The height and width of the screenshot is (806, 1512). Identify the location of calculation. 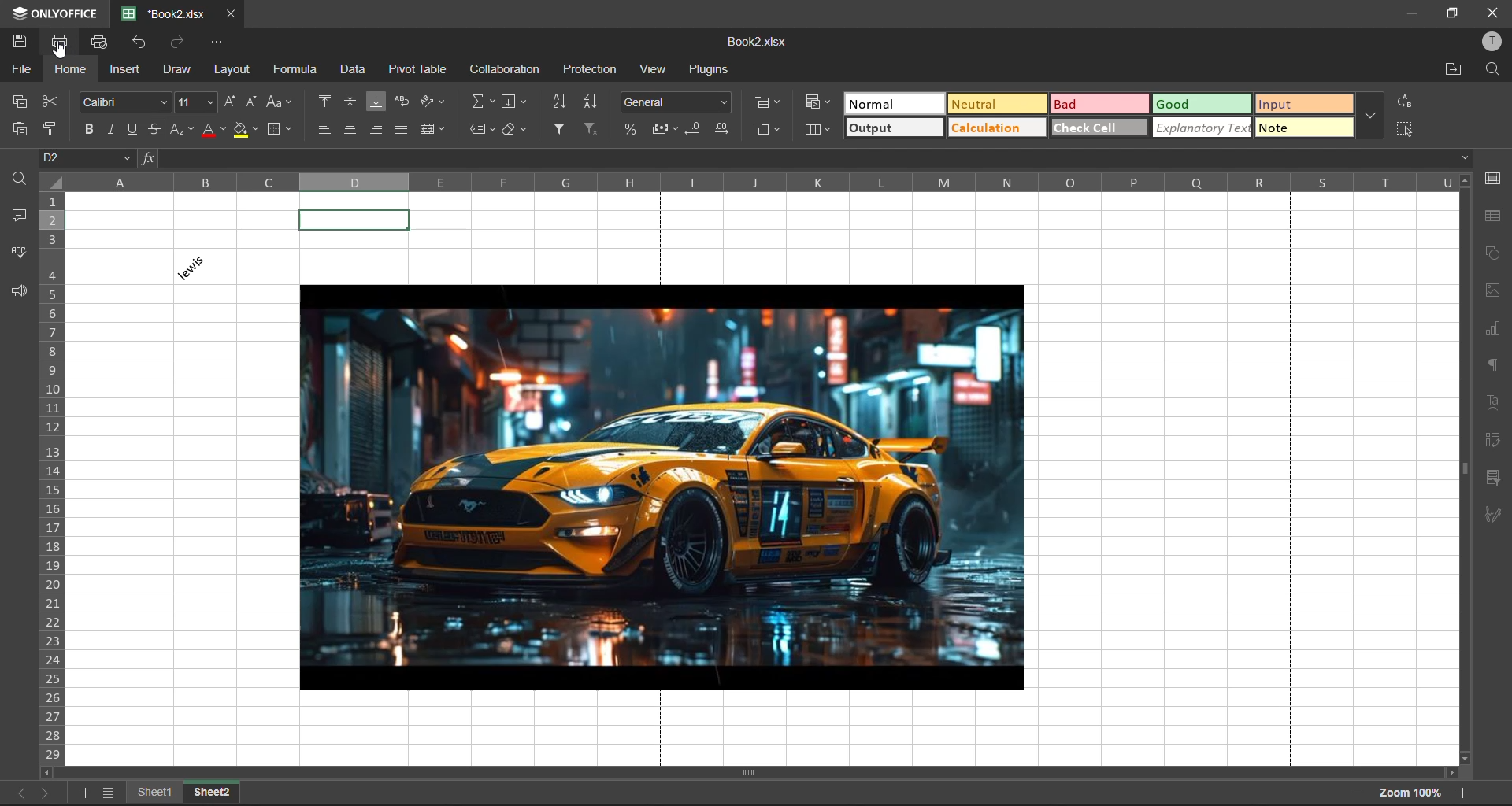
(996, 128).